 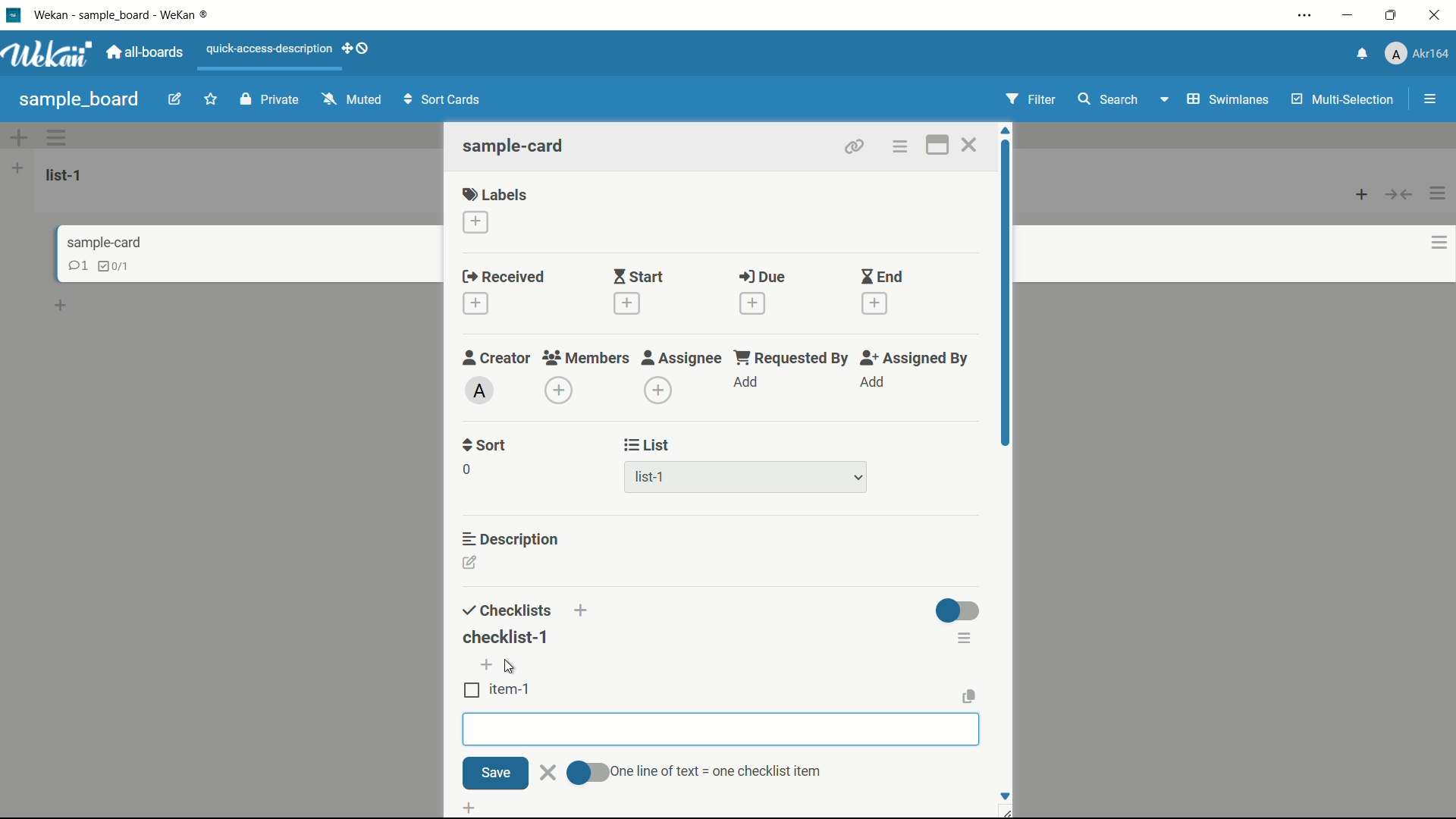 What do you see at coordinates (518, 808) in the screenshot?
I see `subtasks` at bounding box center [518, 808].